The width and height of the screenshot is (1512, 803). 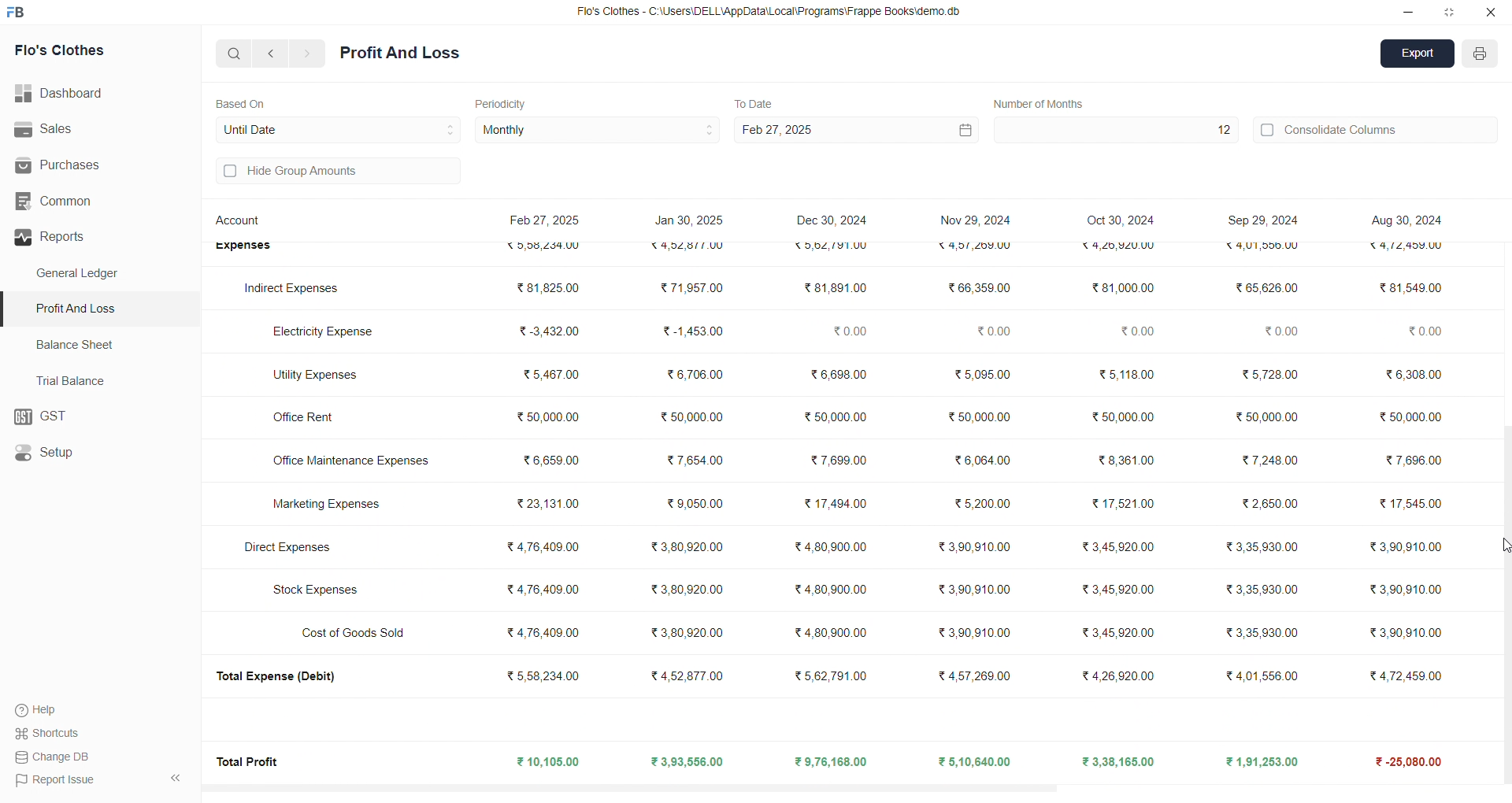 What do you see at coordinates (1256, 249) in the screenshot?
I see `₹4,01,556.00` at bounding box center [1256, 249].